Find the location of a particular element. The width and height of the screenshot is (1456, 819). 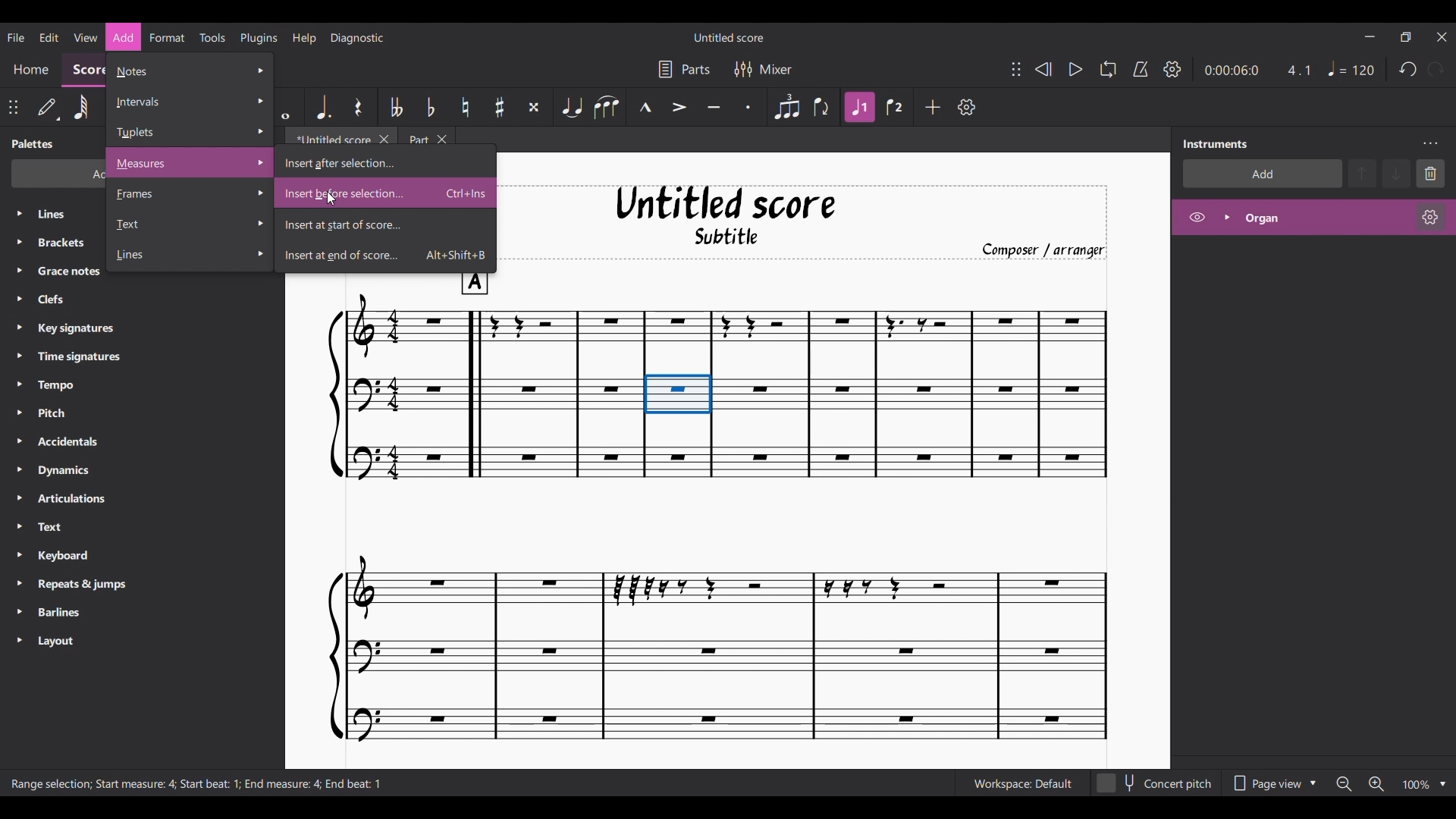

Redo is located at coordinates (1436, 70).